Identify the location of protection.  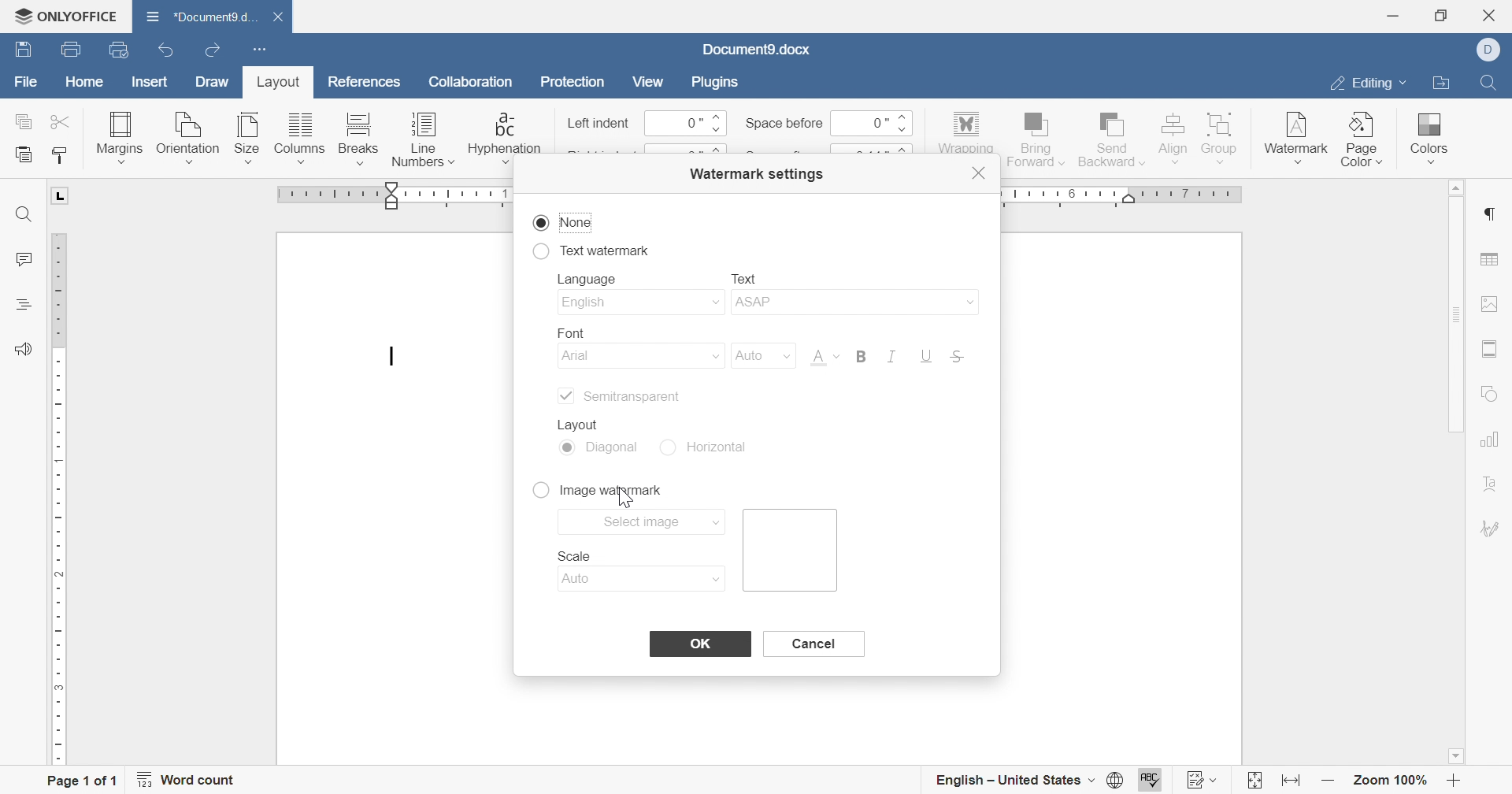
(573, 85).